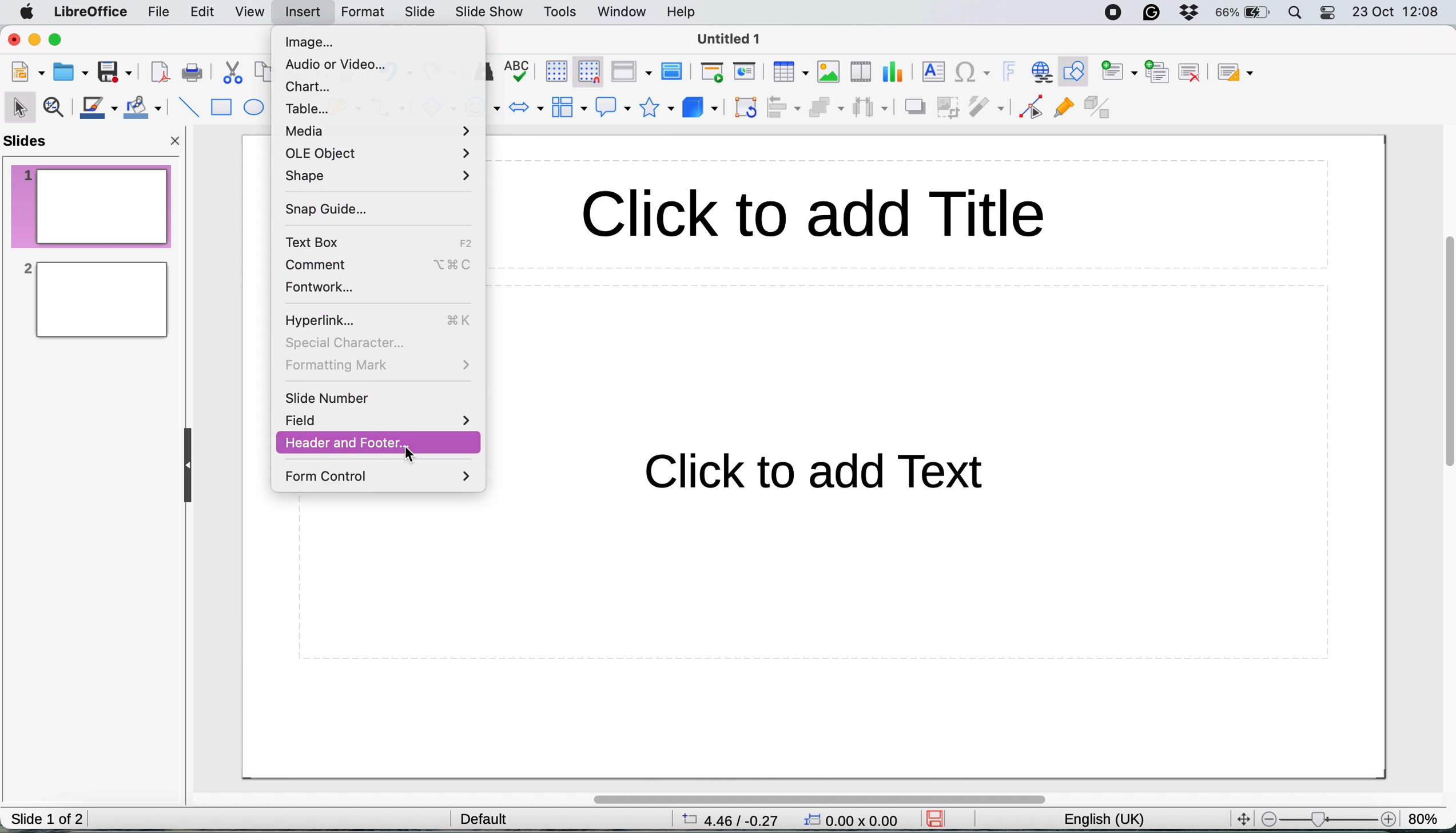 The image size is (1456, 833). I want to click on close, so click(14, 39).